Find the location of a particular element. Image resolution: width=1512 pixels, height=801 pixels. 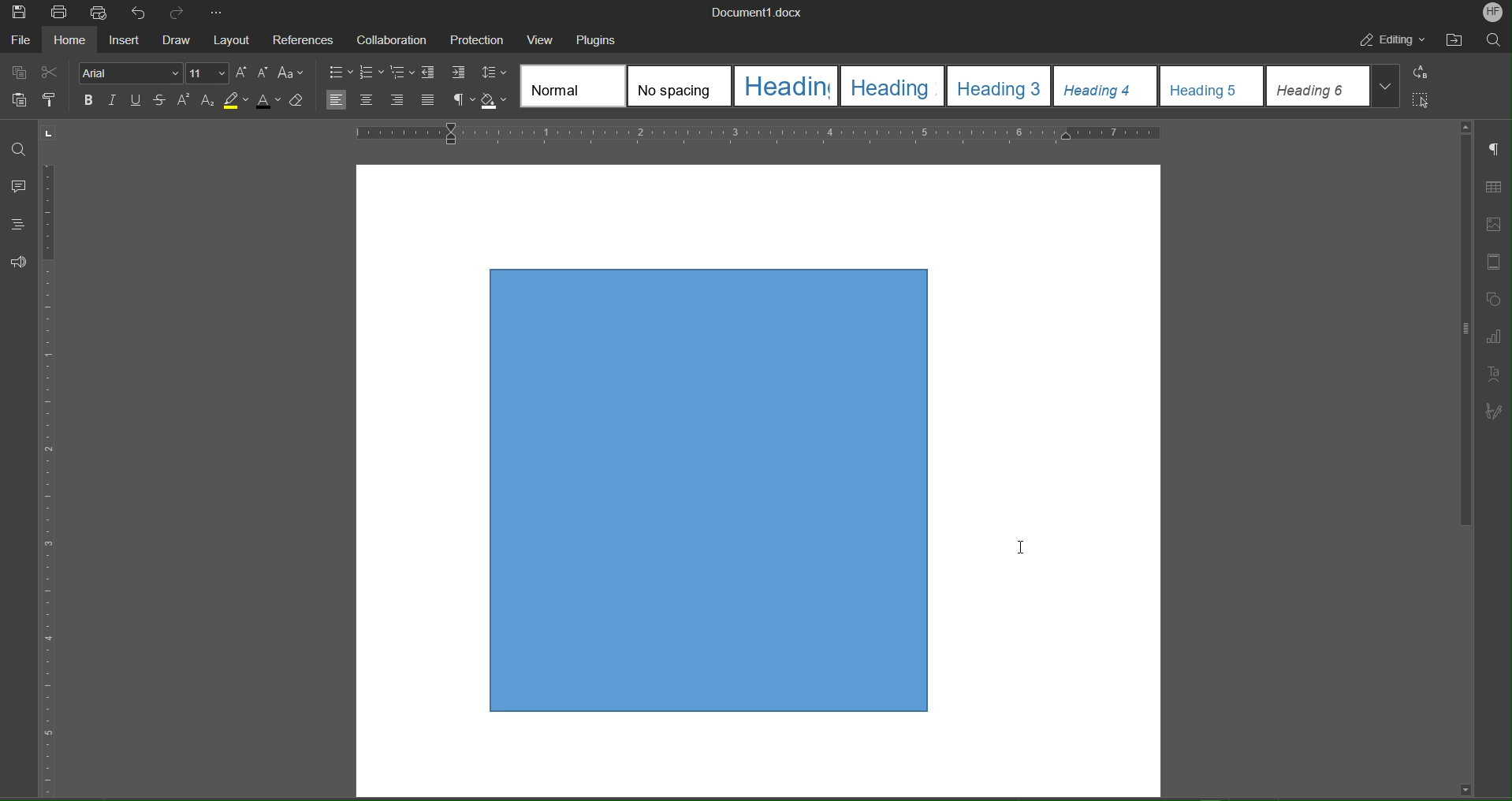

Insert is located at coordinates (123, 39).